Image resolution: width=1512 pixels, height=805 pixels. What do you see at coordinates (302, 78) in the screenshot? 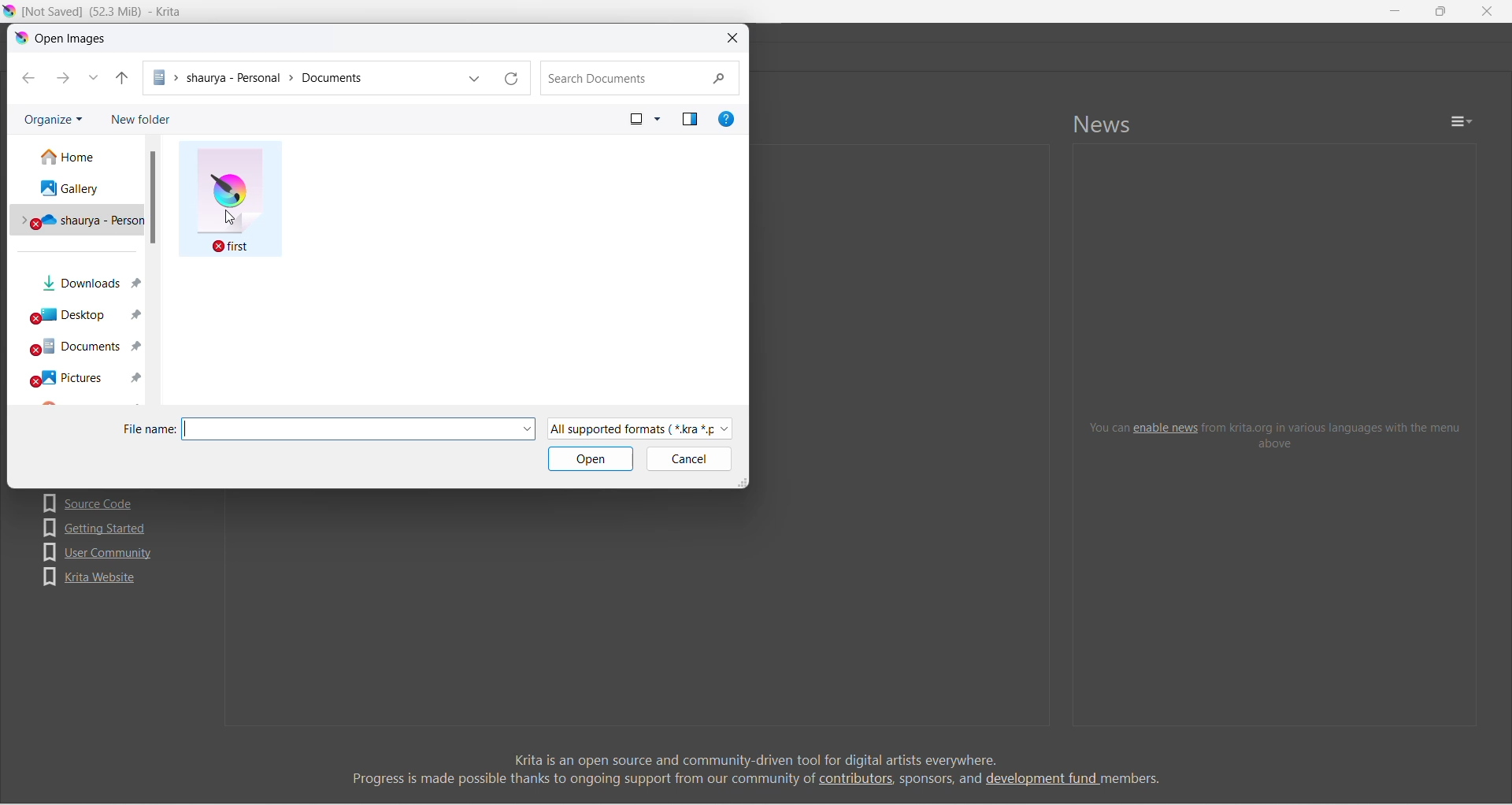
I see `path` at bounding box center [302, 78].